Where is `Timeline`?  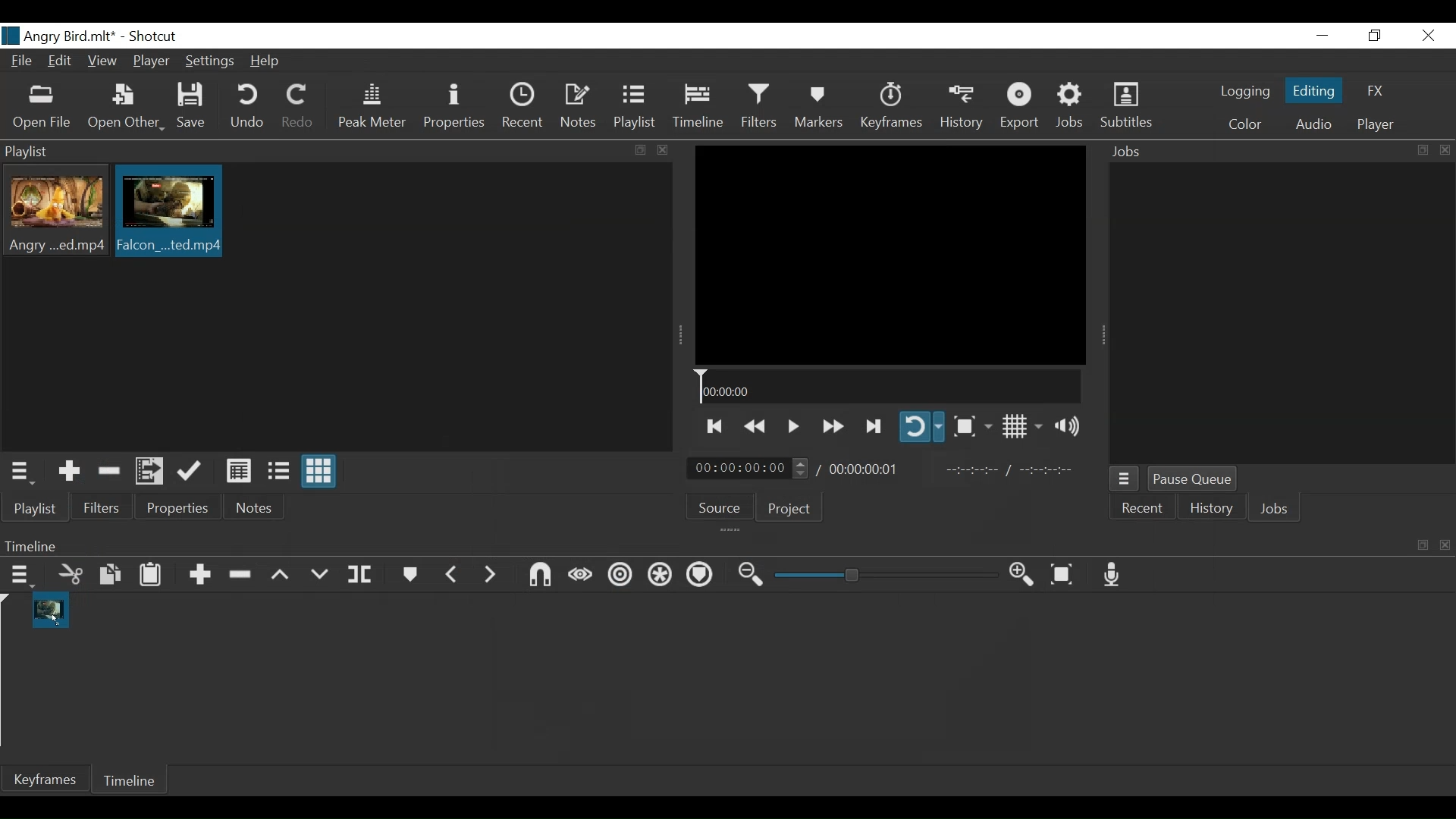 Timeline is located at coordinates (699, 106).